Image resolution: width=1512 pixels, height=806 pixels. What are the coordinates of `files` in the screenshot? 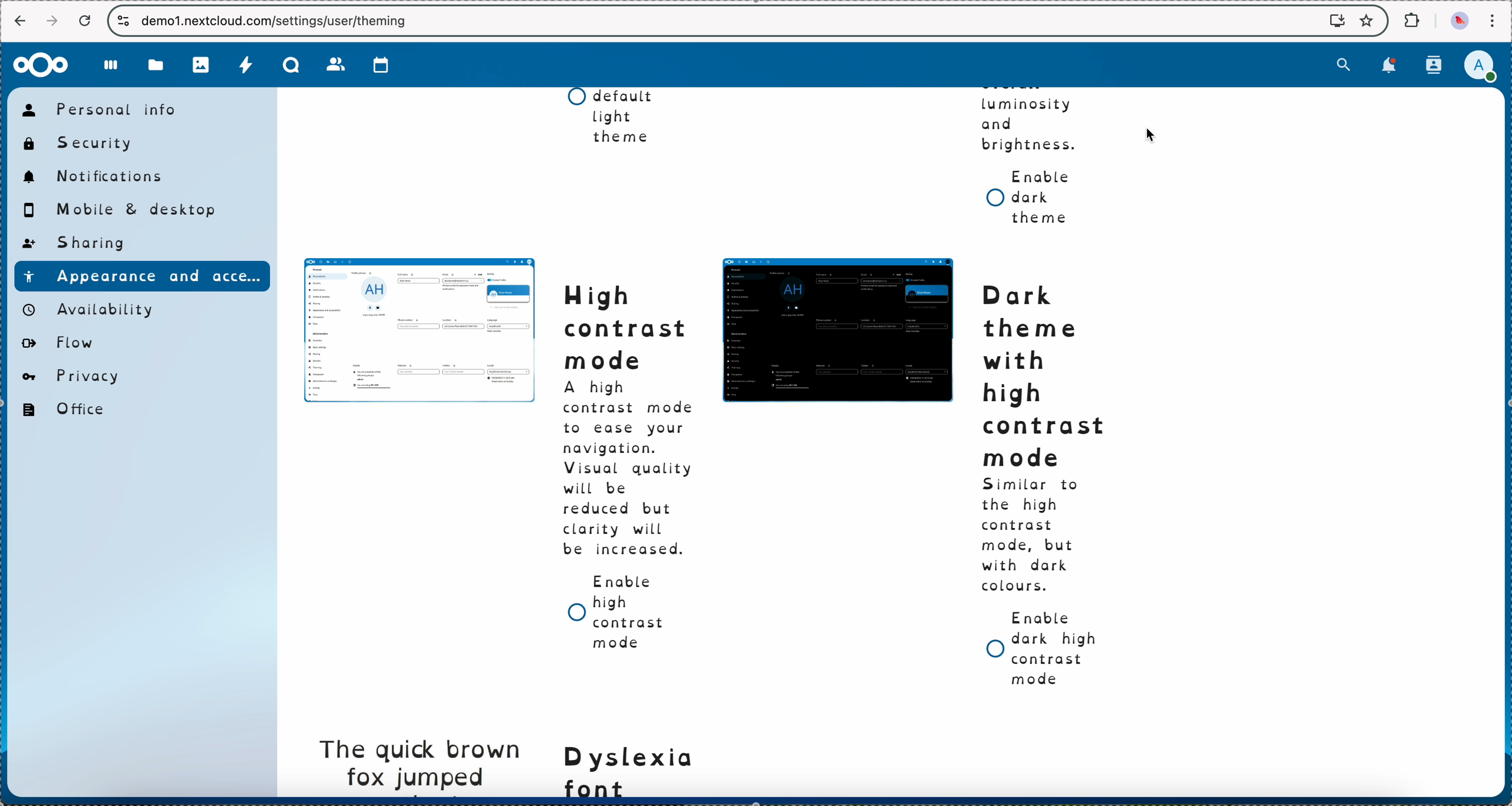 It's located at (157, 69).